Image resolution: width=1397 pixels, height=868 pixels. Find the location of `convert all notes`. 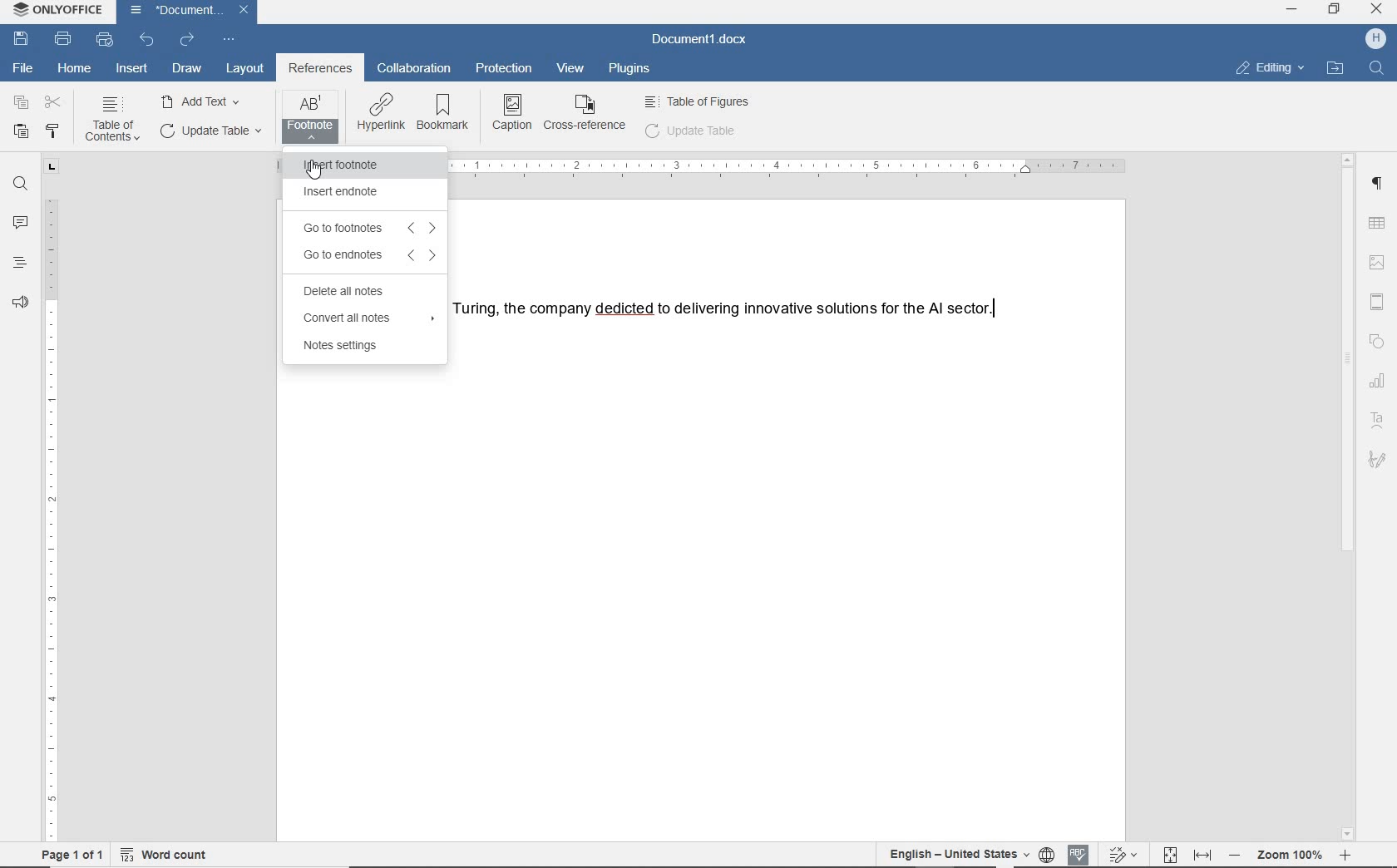

convert all notes is located at coordinates (365, 318).